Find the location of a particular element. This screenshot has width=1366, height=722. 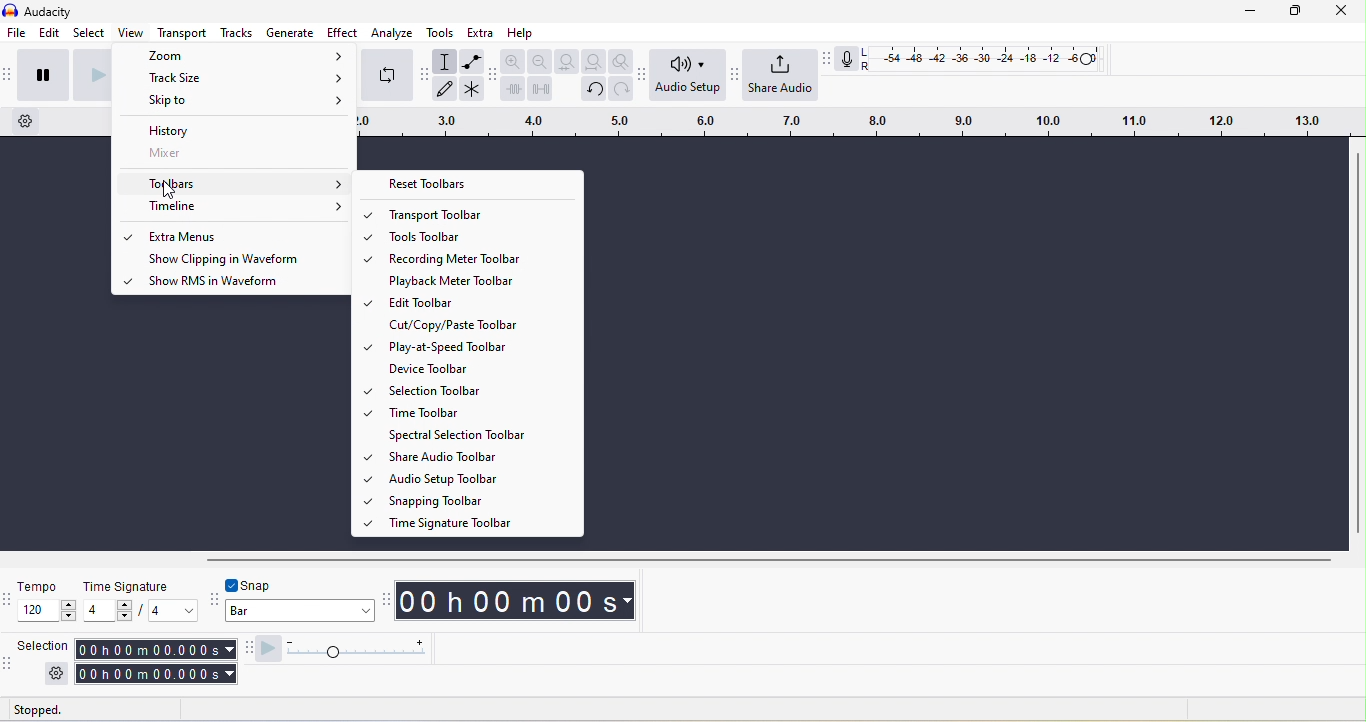

status: stopped is located at coordinates (37, 712).